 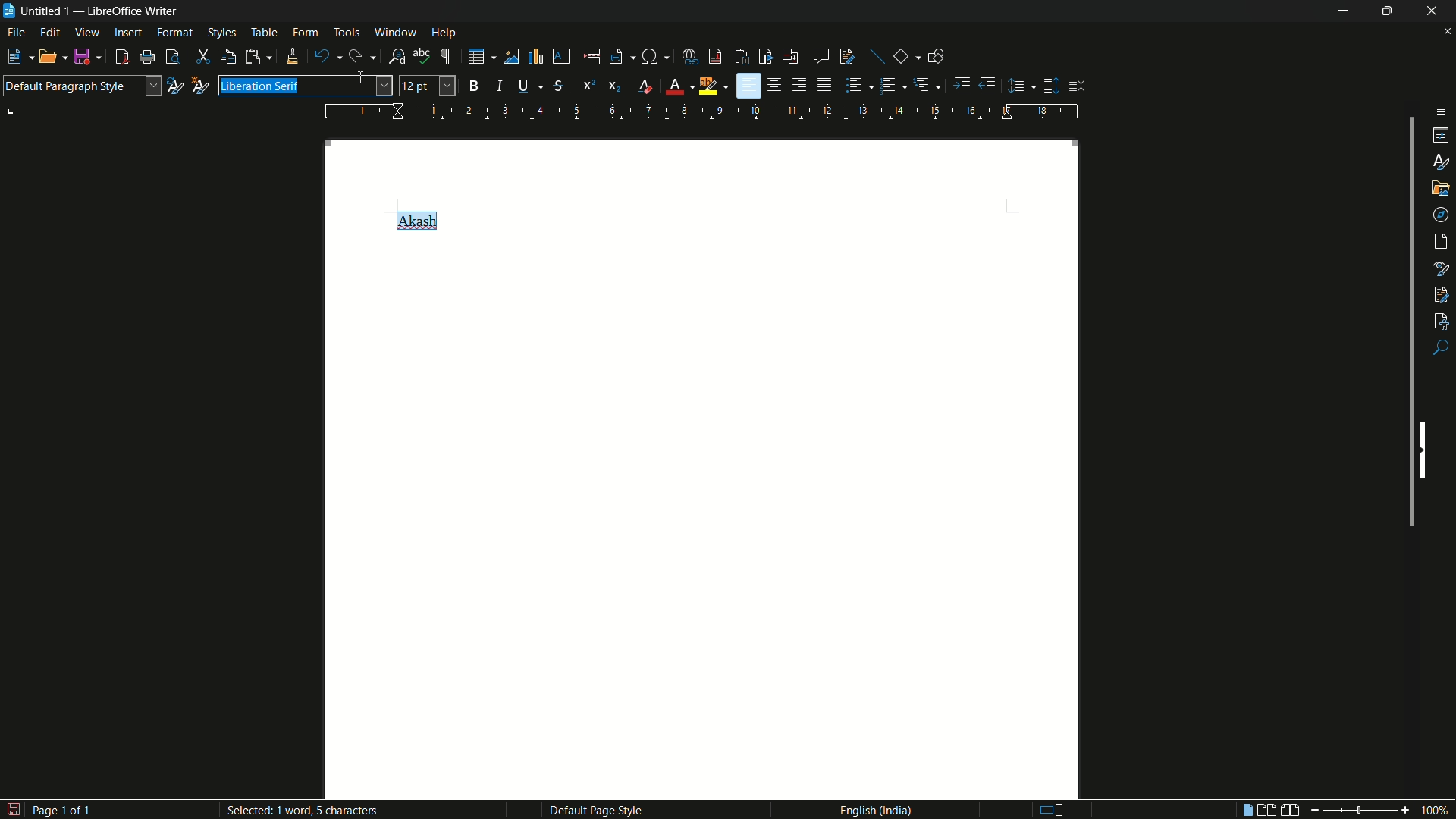 I want to click on cut, so click(x=203, y=58).